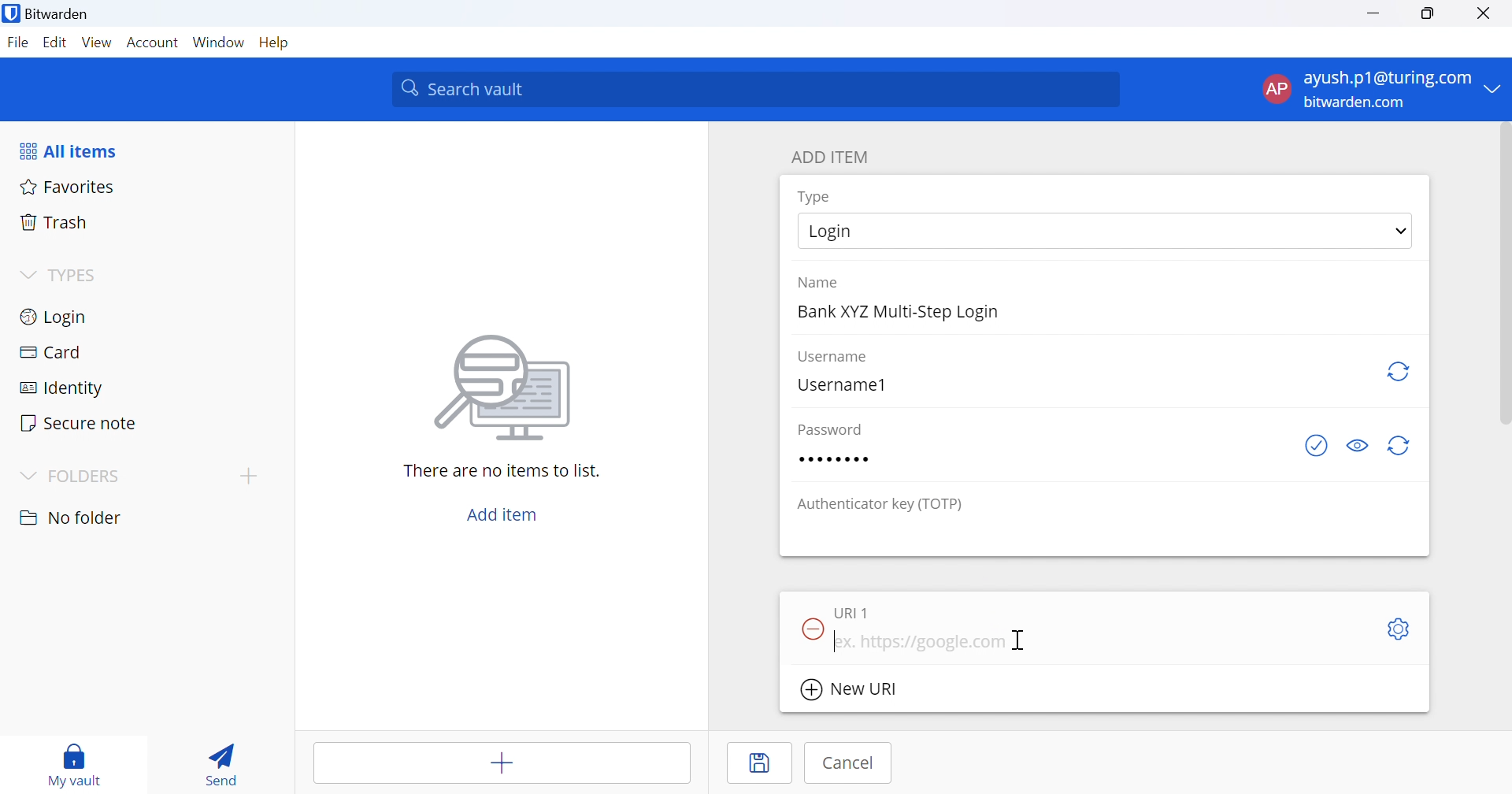 Image resolution: width=1512 pixels, height=794 pixels. What do you see at coordinates (275, 44) in the screenshot?
I see `Help` at bounding box center [275, 44].